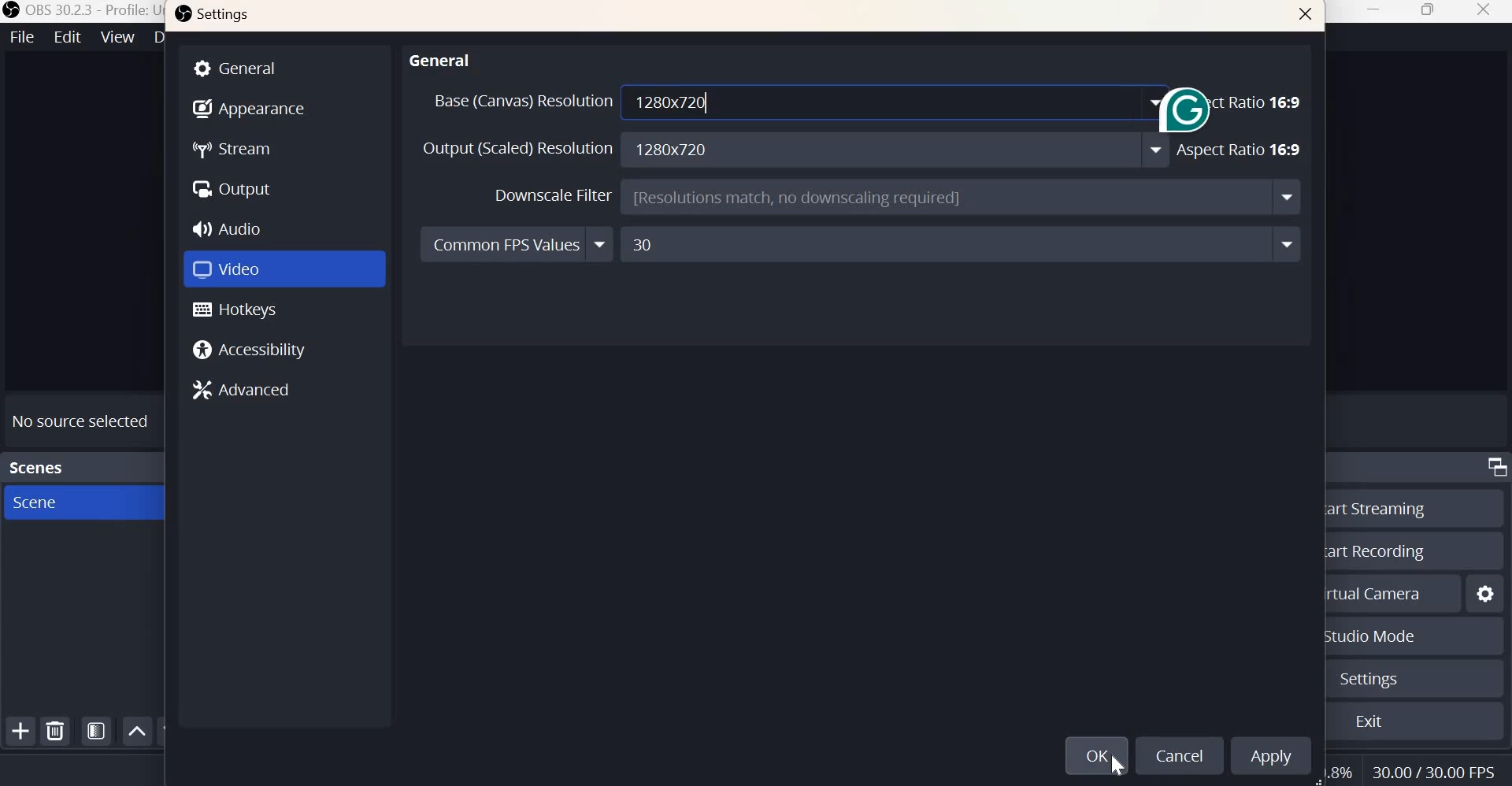  What do you see at coordinates (1369, 637) in the screenshot?
I see `Studio mode` at bounding box center [1369, 637].